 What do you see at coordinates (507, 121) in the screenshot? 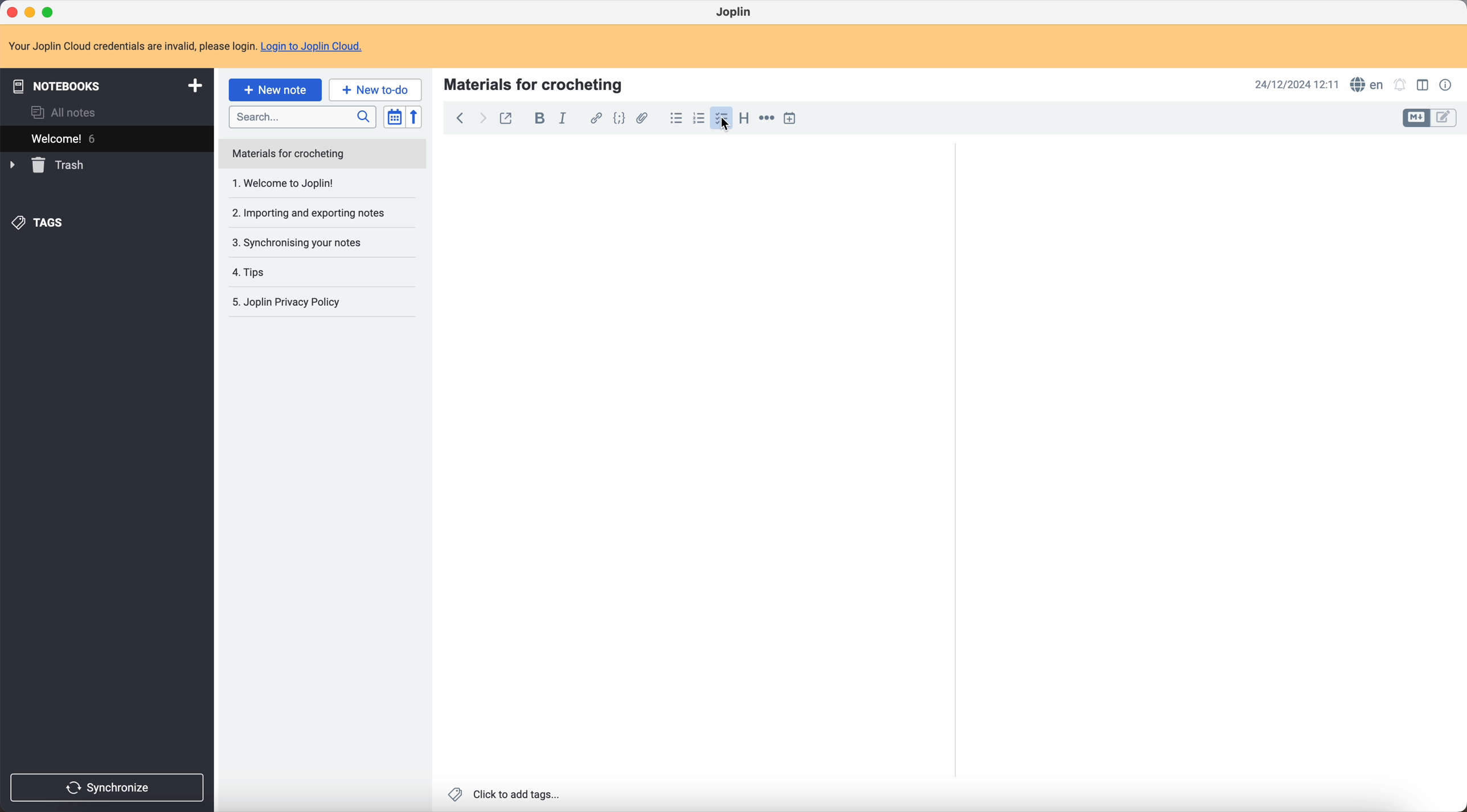
I see `toggle external editing` at bounding box center [507, 121].